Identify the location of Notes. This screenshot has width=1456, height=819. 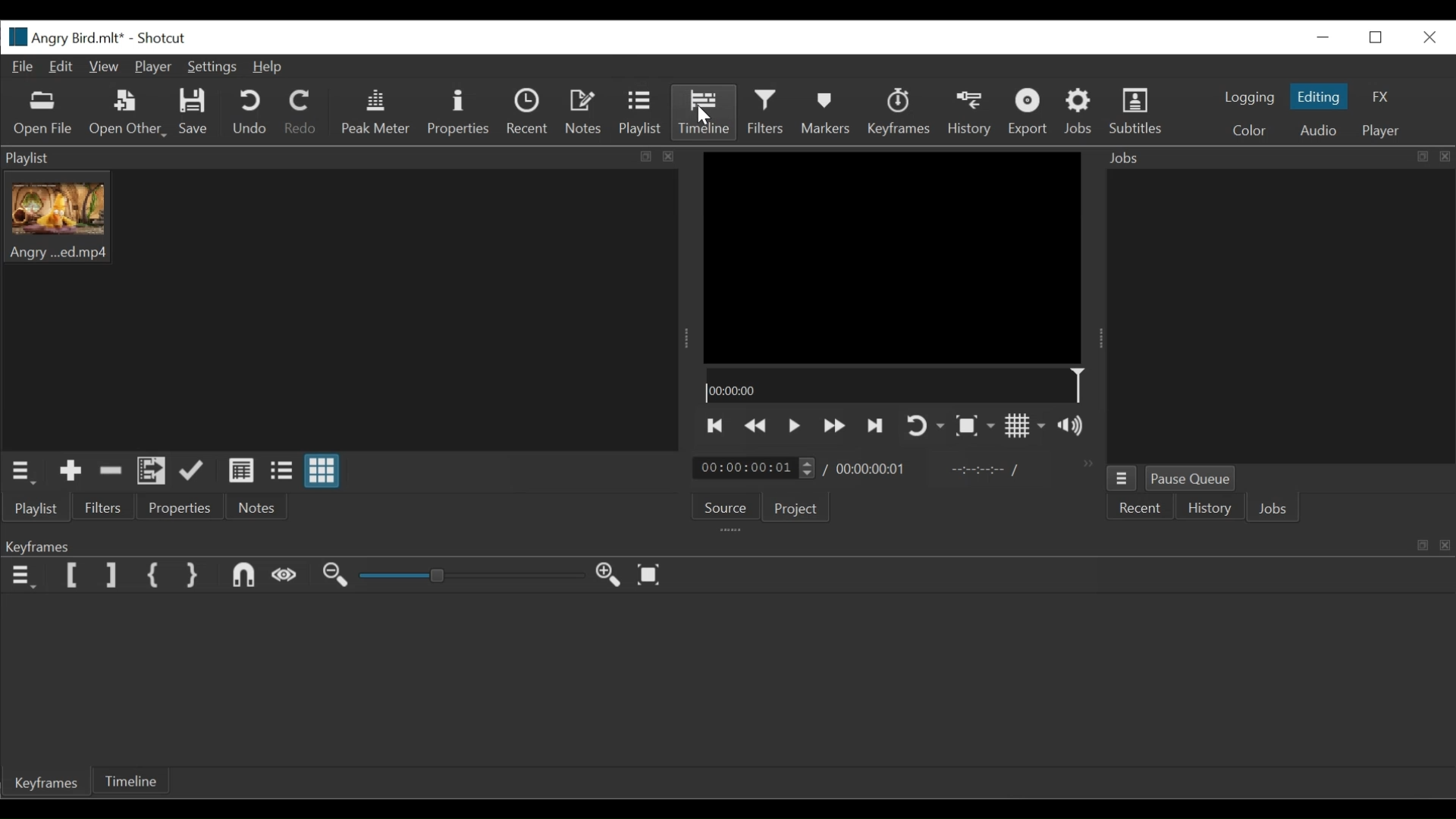
(583, 111).